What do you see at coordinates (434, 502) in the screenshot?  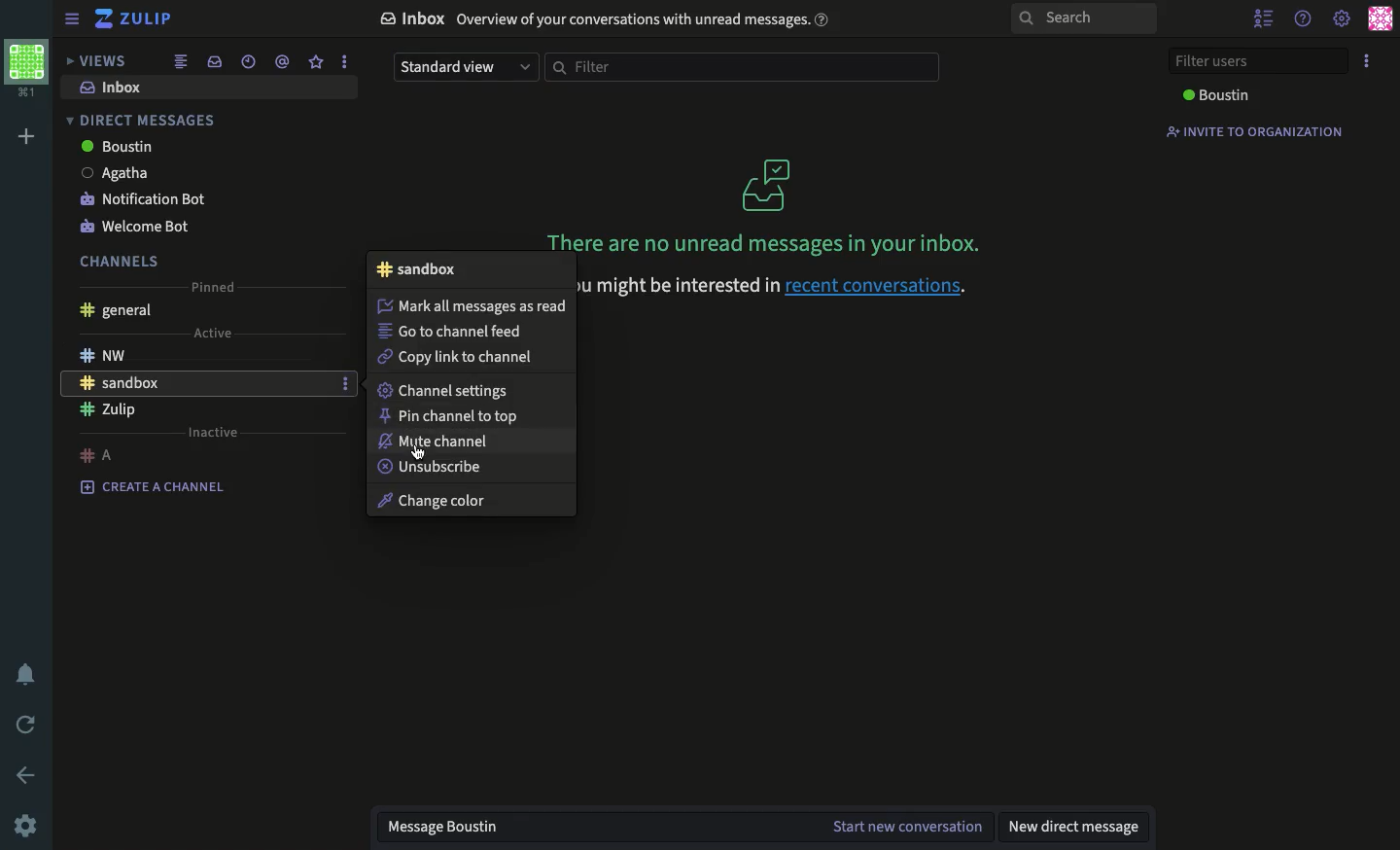 I see `change color` at bounding box center [434, 502].